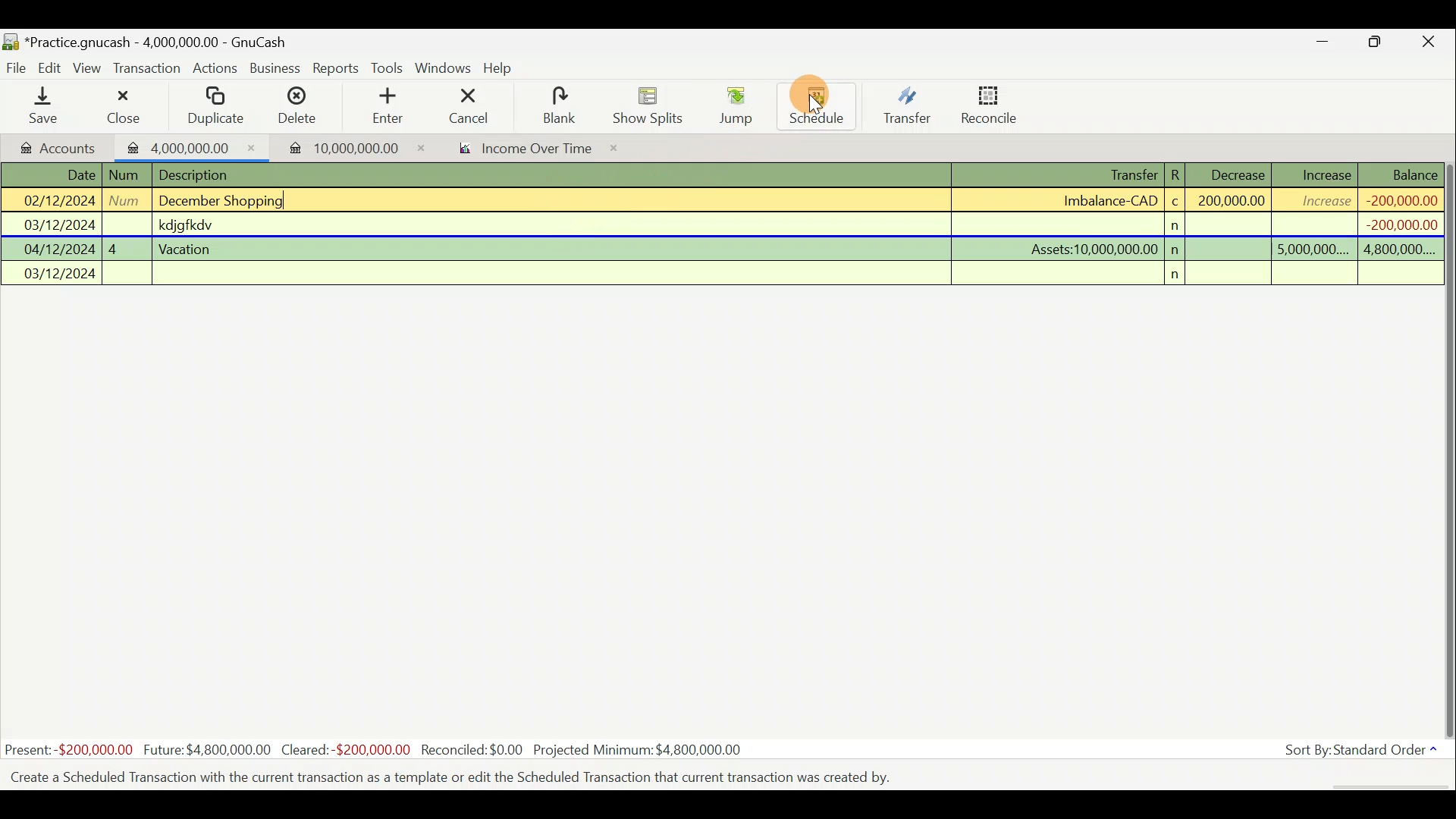 The width and height of the screenshot is (1456, 819). I want to click on Help, so click(504, 68).